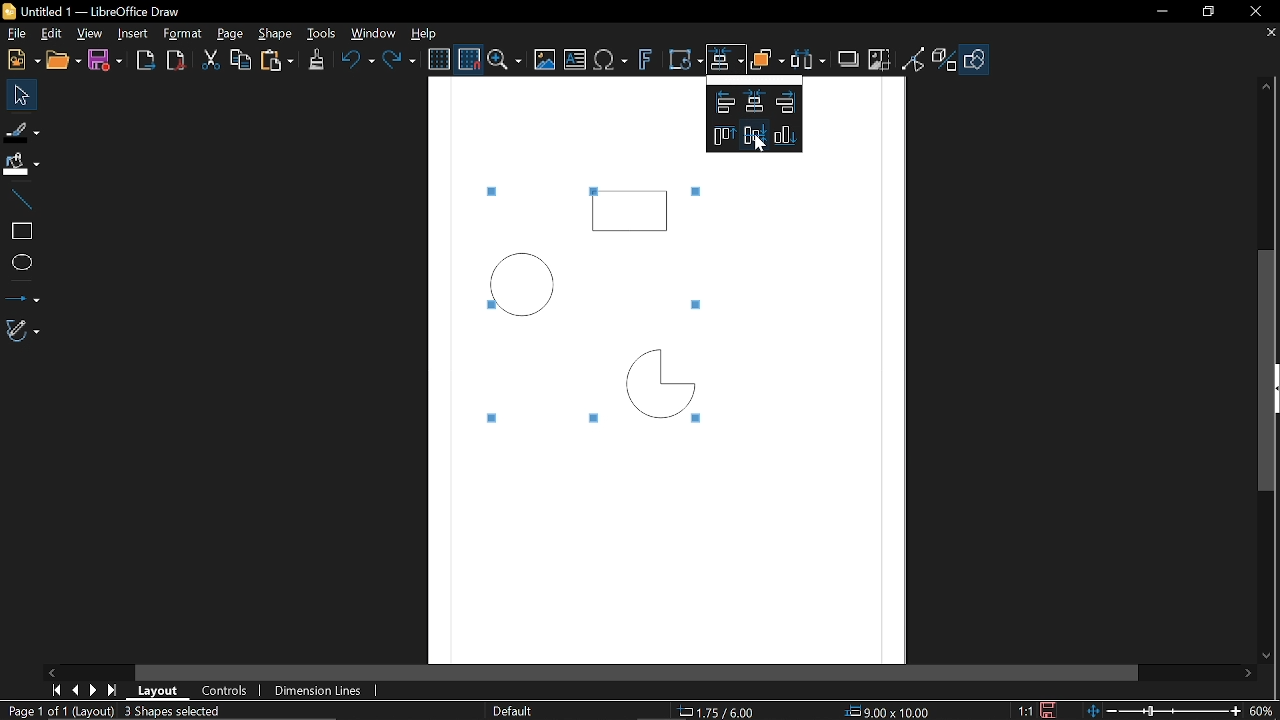 Image resolution: width=1280 pixels, height=720 pixels. What do you see at coordinates (697, 190) in the screenshot?
I see `Tiny square marked around the selected objects` at bounding box center [697, 190].